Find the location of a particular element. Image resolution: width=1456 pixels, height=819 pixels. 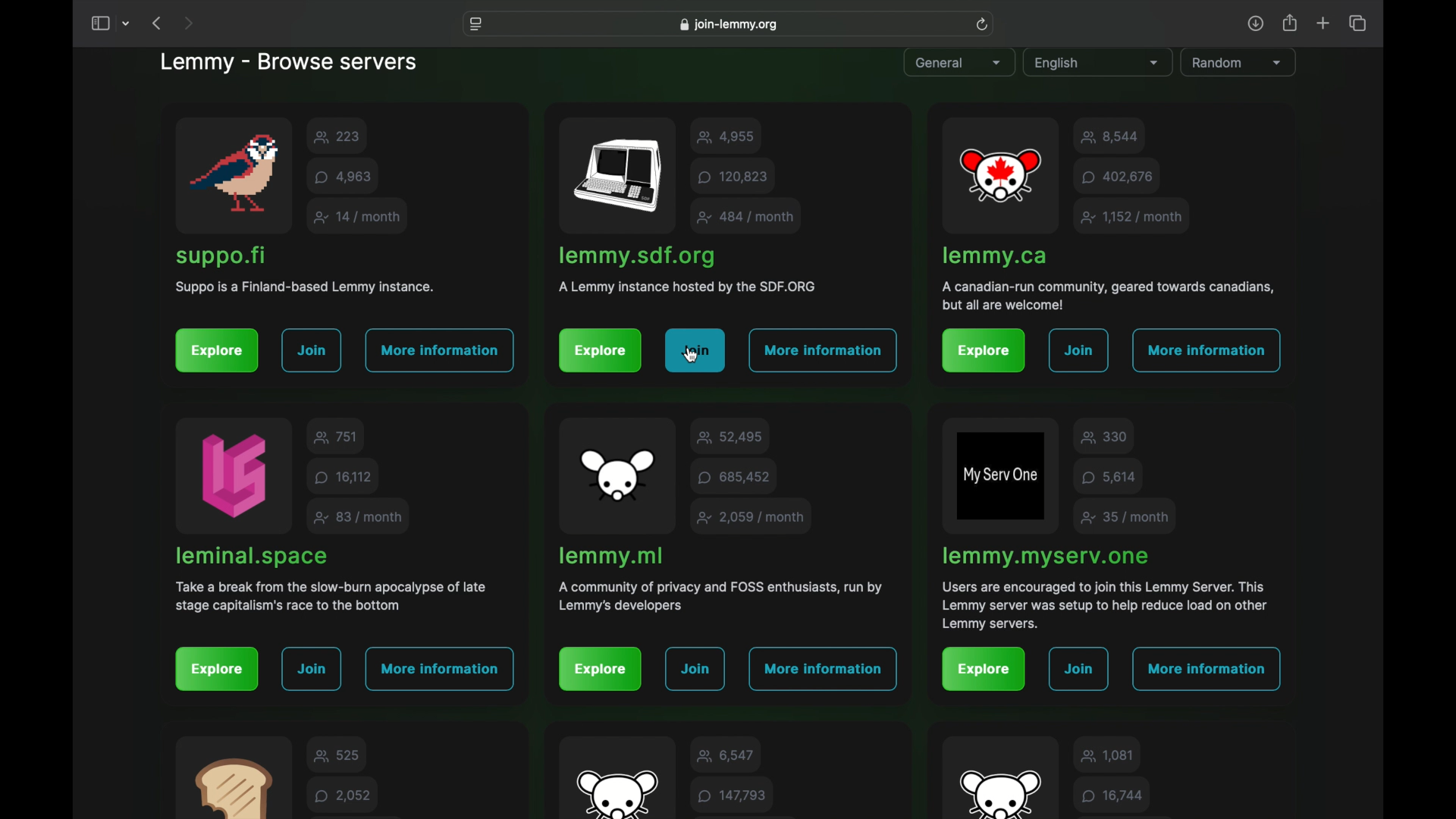

info is located at coordinates (1109, 297).